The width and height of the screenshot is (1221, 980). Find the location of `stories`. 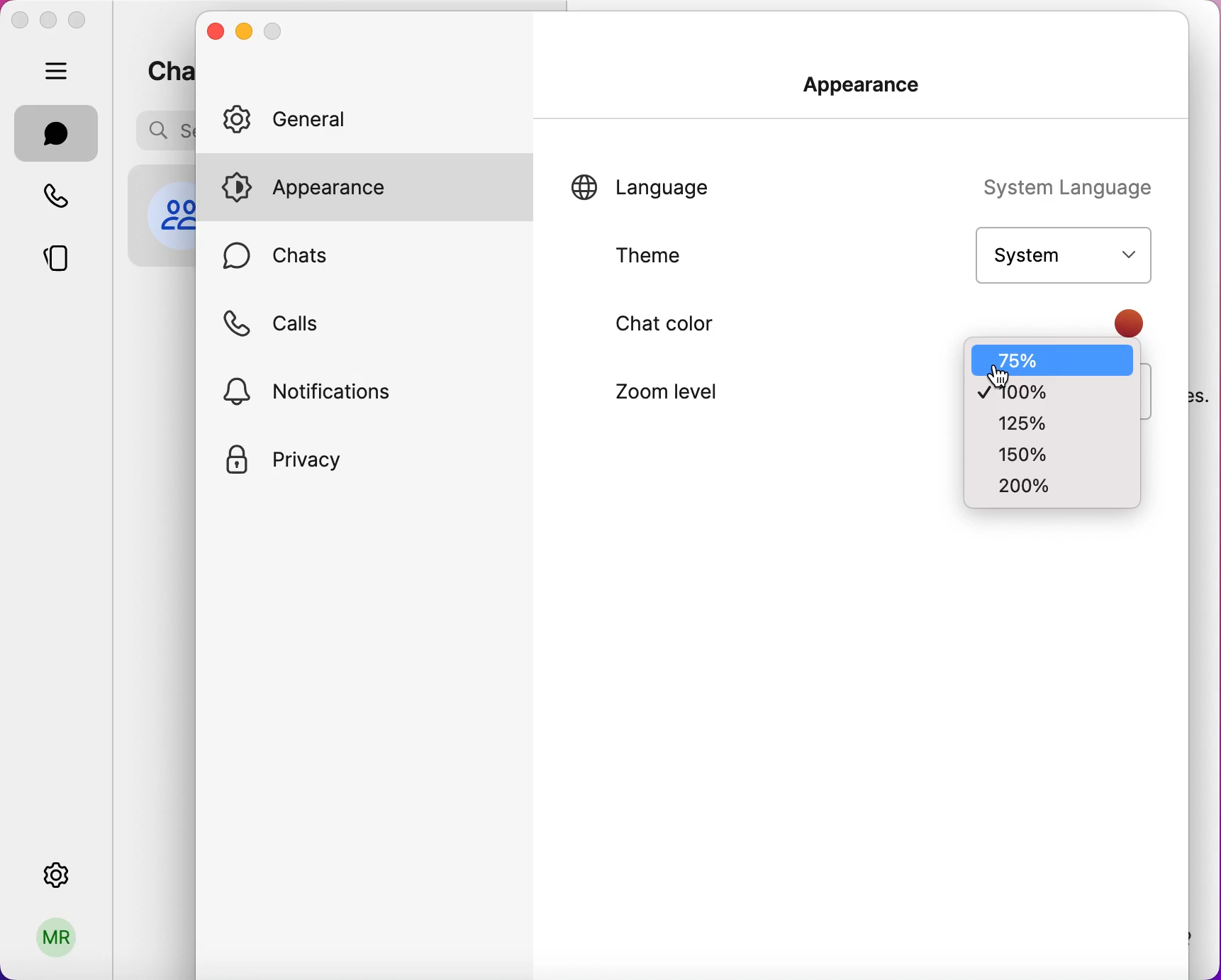

stories is located at coordinates (52, 262).